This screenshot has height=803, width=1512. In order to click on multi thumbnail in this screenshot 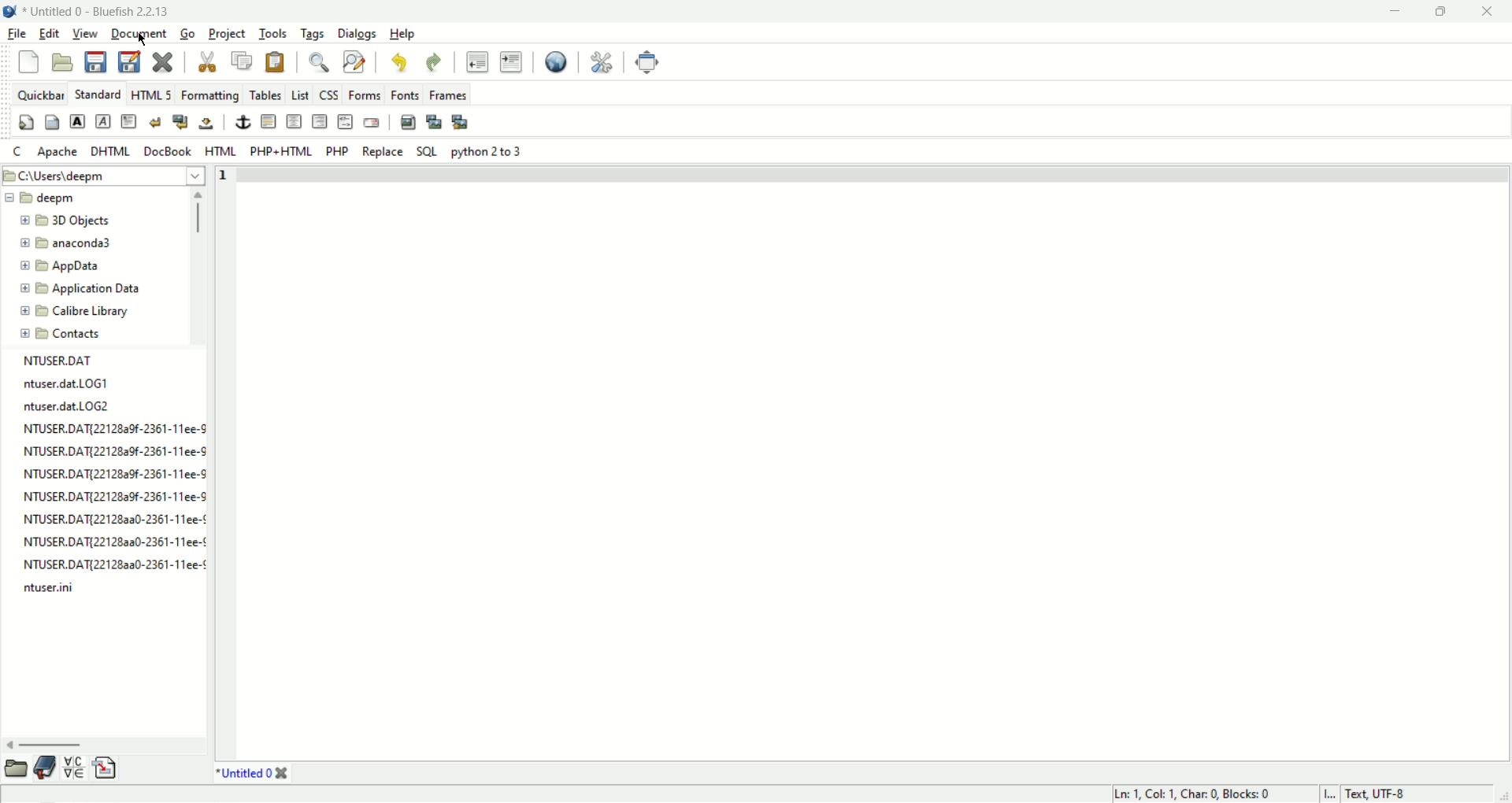, I will do `click(461, 123)`.